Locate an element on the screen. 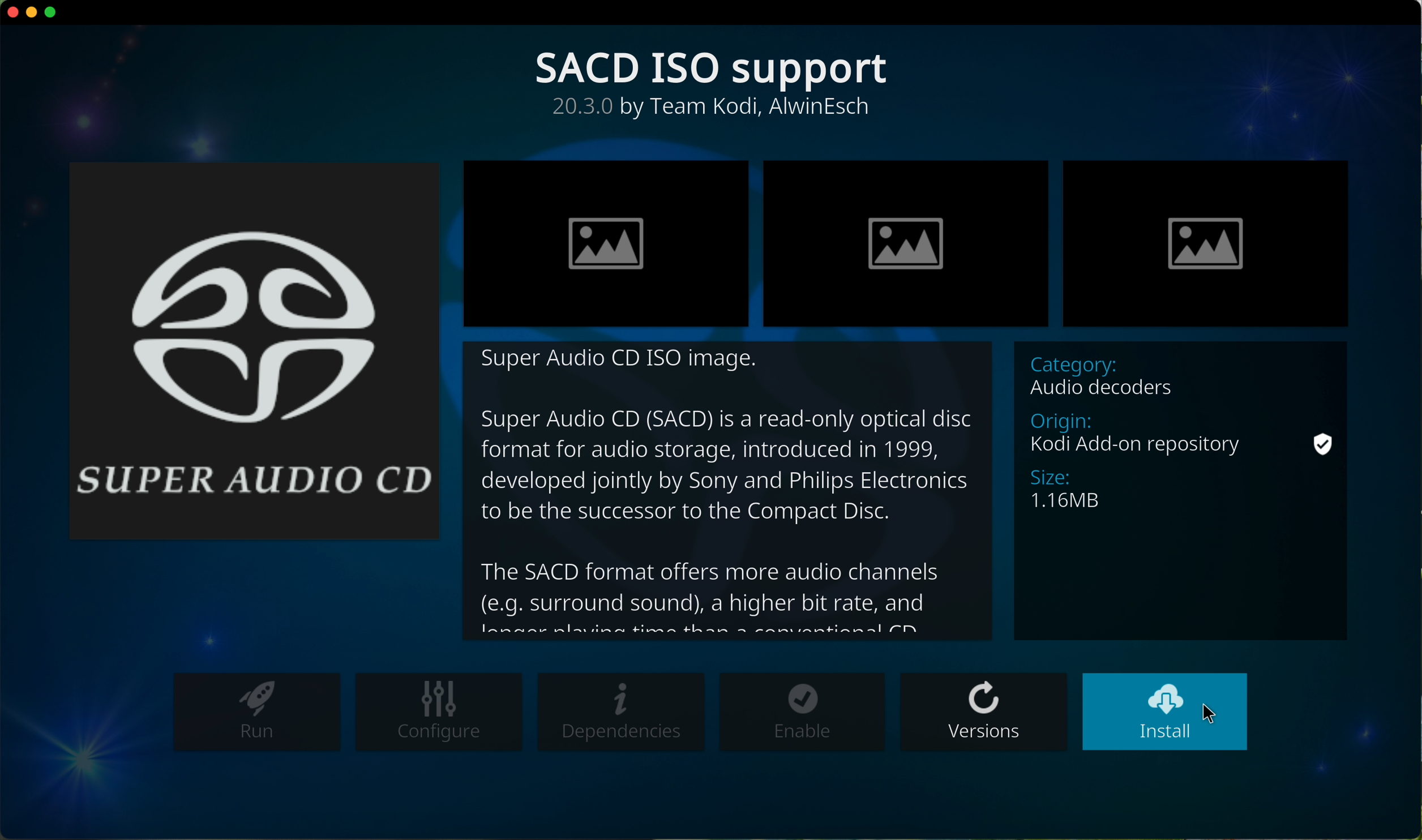  versions is located at coordinates (984, 711).